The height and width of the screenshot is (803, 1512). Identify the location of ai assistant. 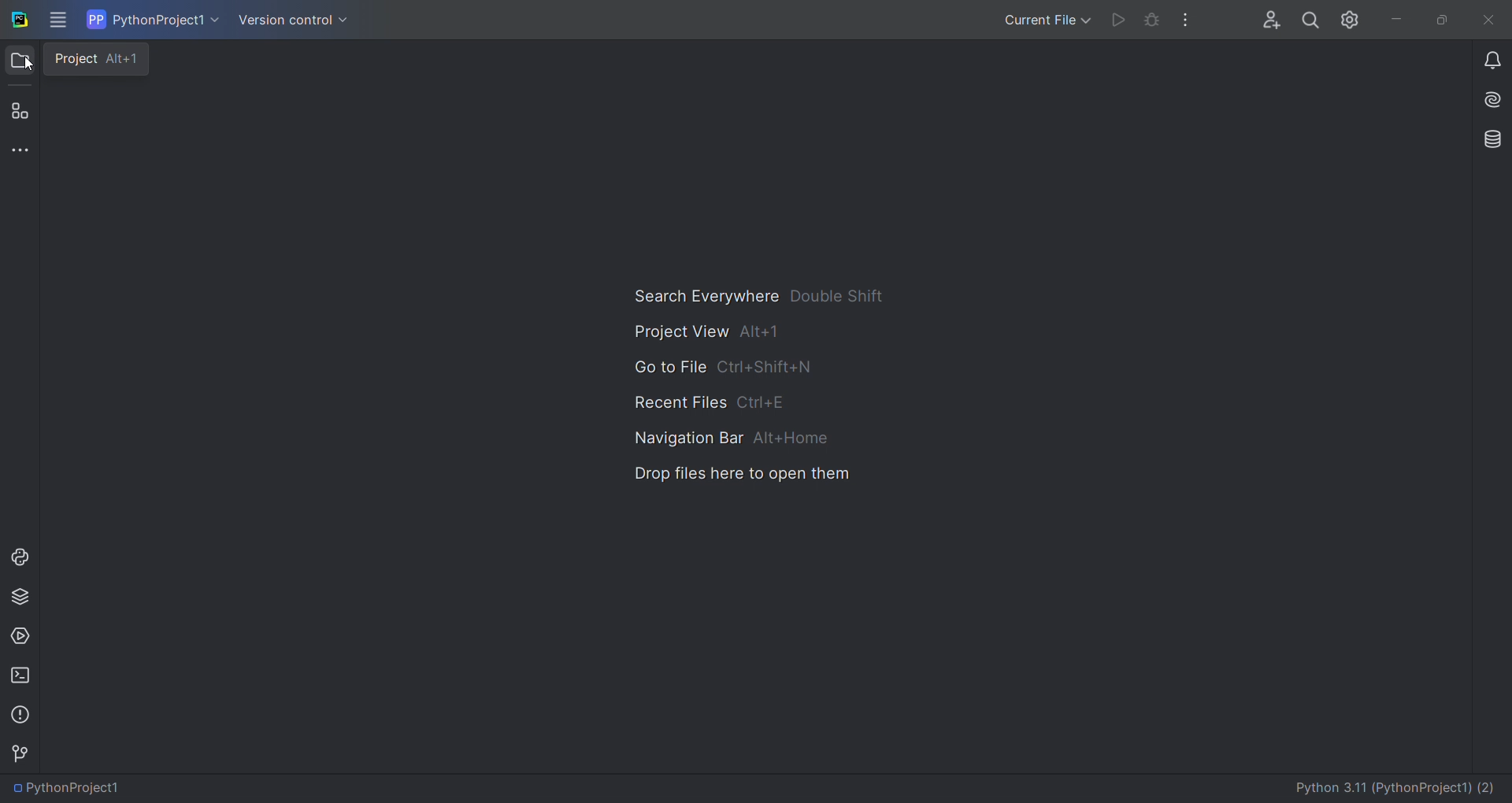
(1488, 99).